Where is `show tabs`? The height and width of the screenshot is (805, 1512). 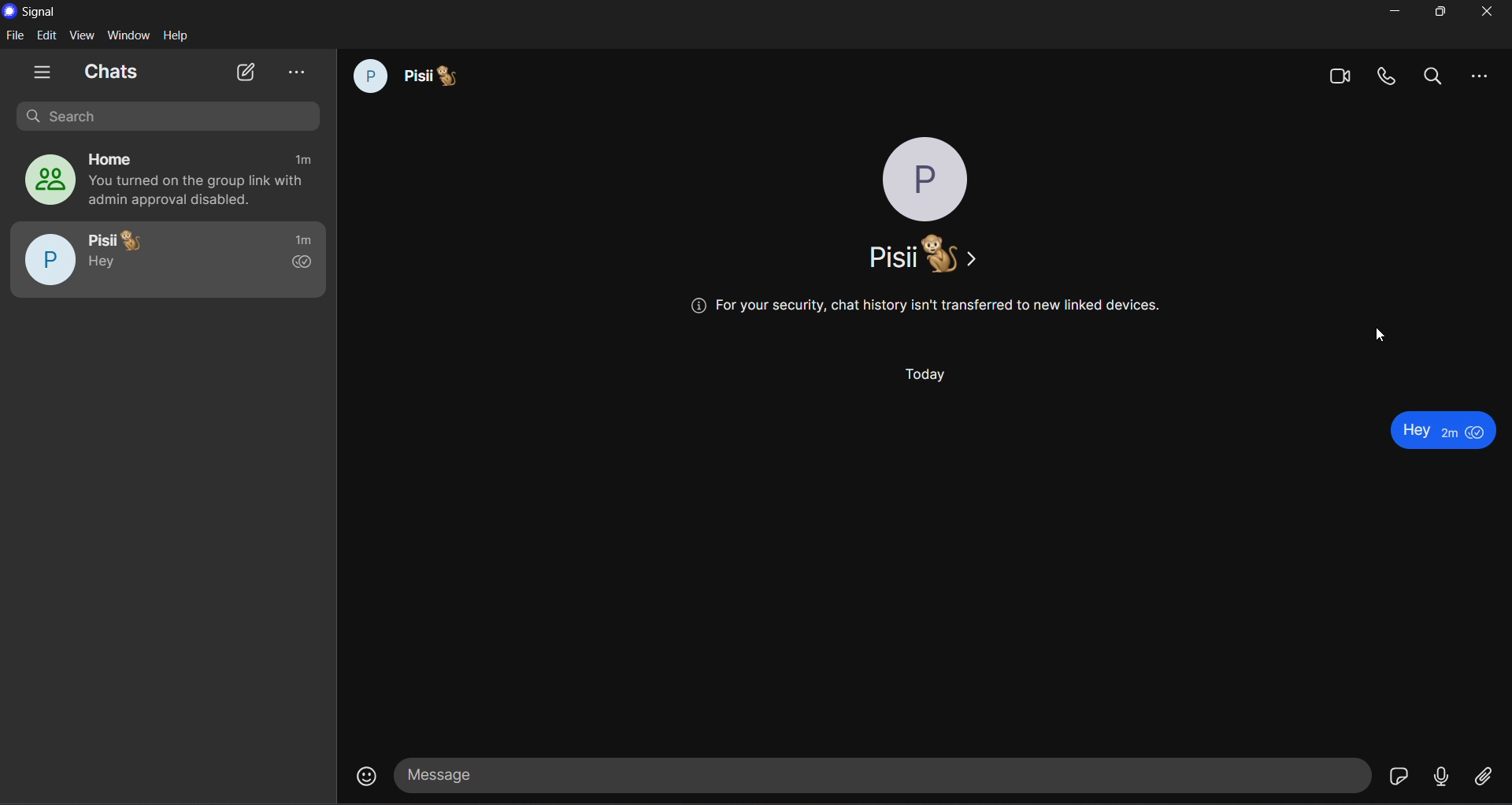
show tabs is located at coordinates (44, 72).